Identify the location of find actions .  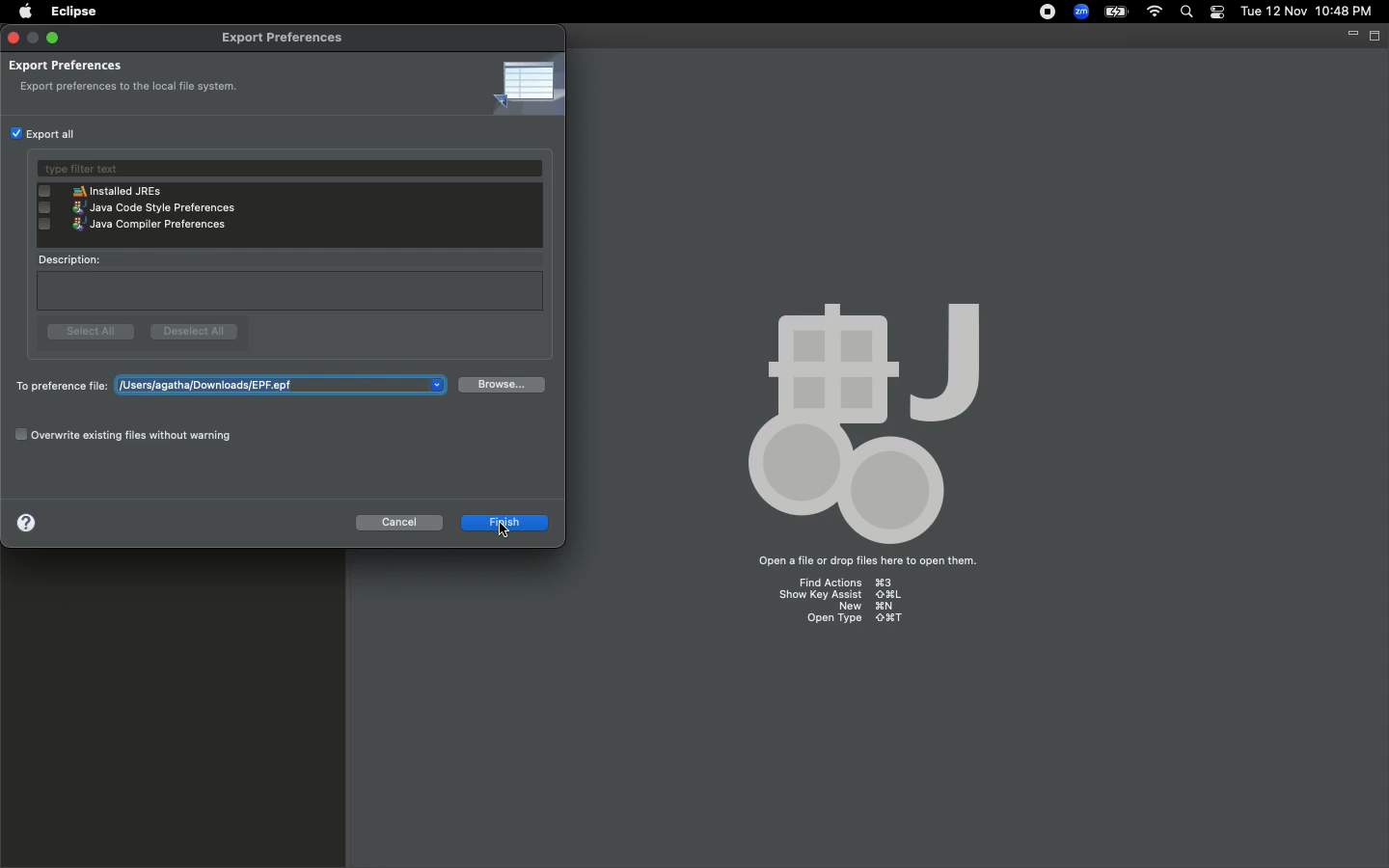
(836, 583).